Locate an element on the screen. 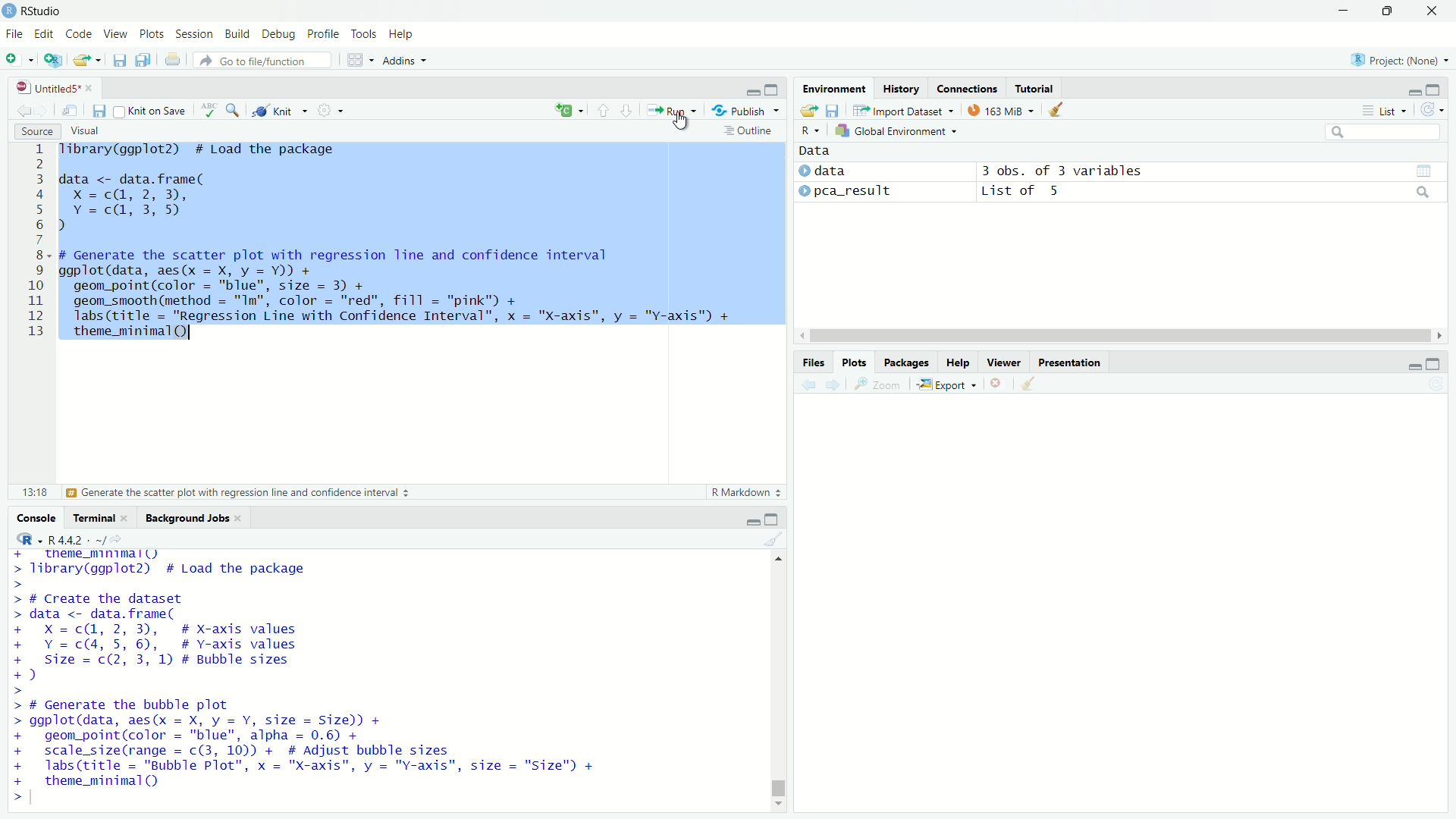 This screenshot has height=819, width=1456. Go forward to next source location is located at coordinates (42, 111).